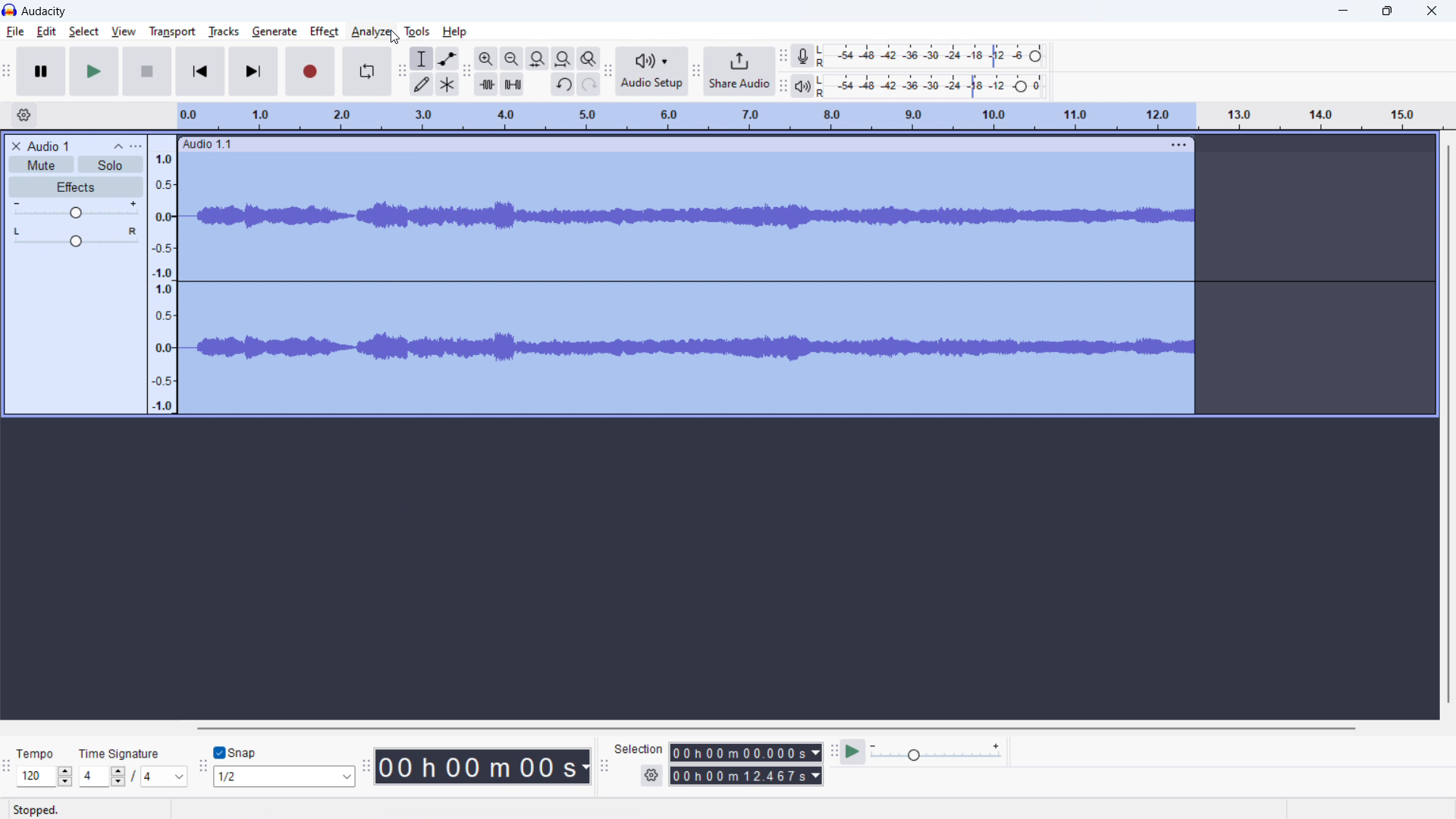 Image resolution: width=1456 pixels, height=819 pixels. What do you see at coordinates (1387, 11) in the screenshot?
I see `maximize` at bounding box center [1387, 11].